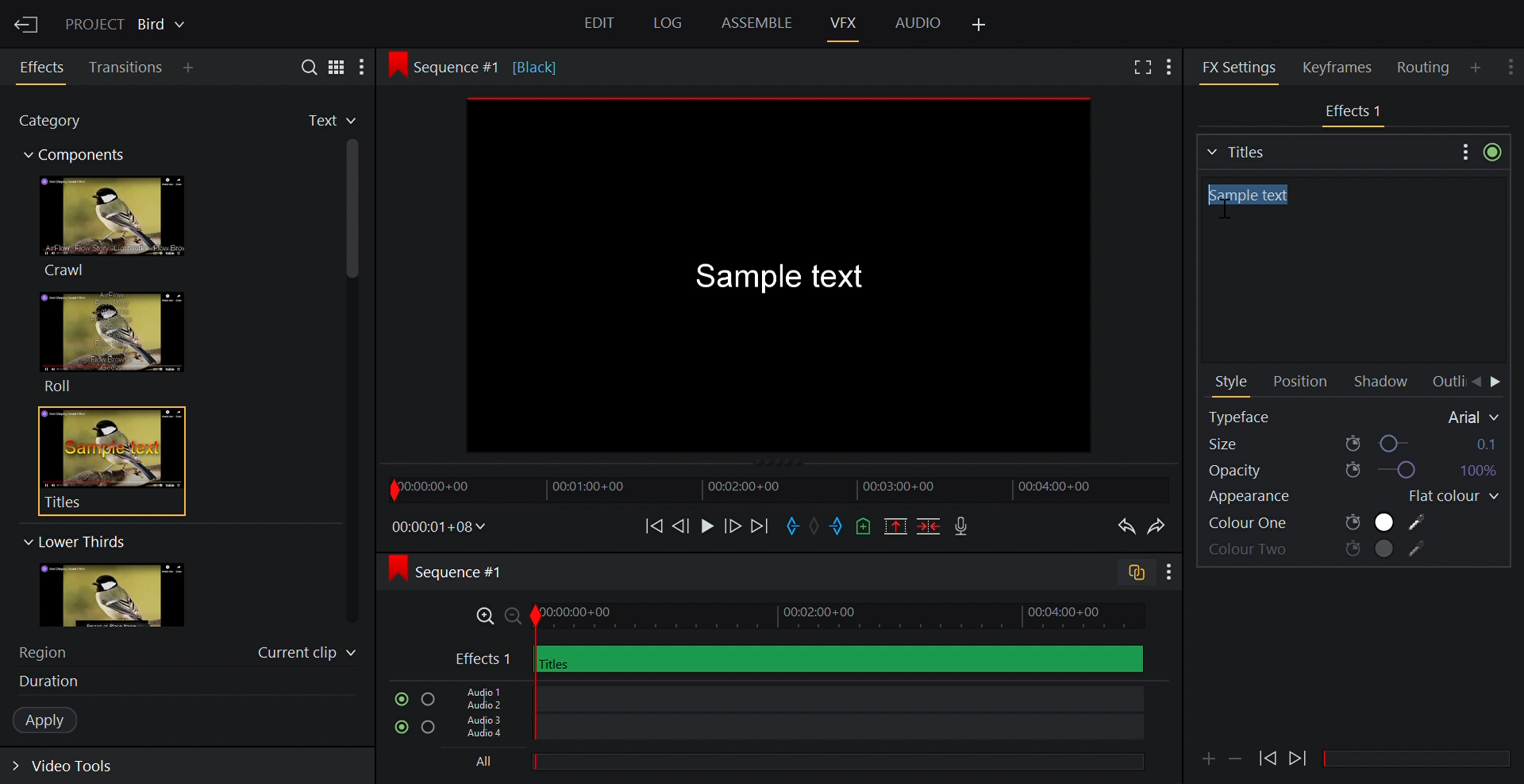  Describe the element at coordinates (1344, 67) in the screenshot. I see `Keyframes` at that location.